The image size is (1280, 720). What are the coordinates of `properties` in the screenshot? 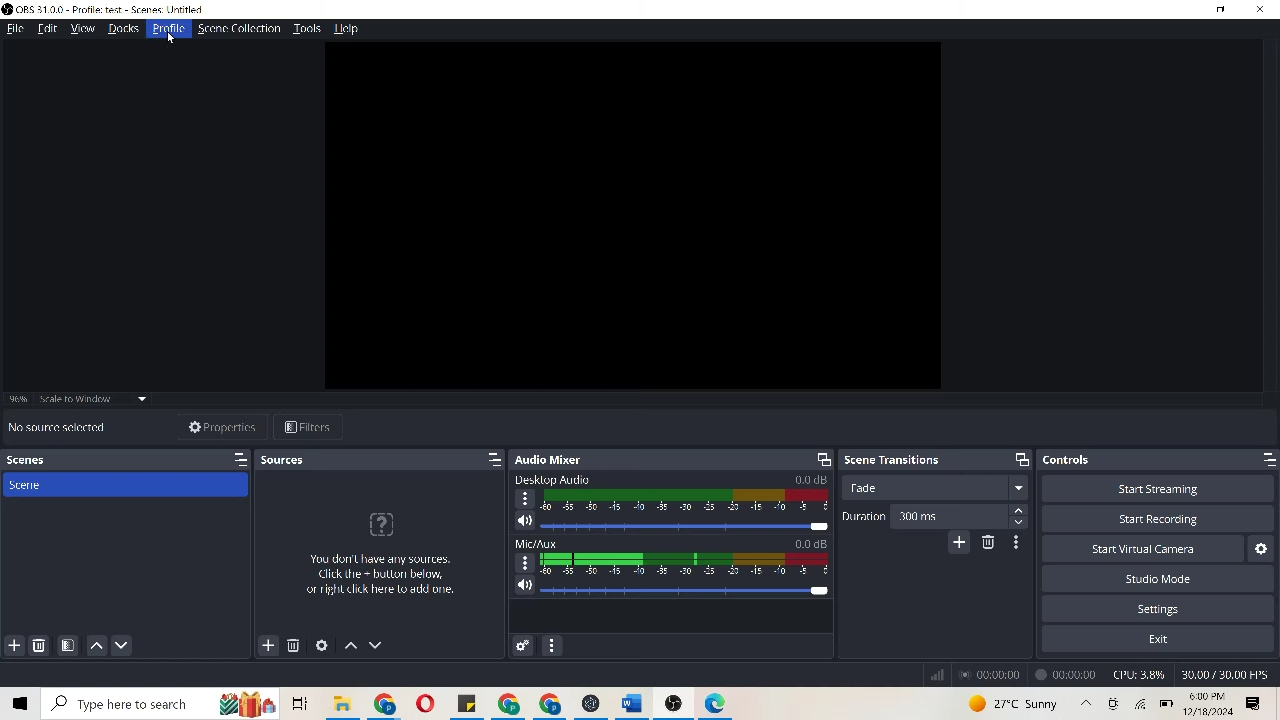 It's located at (216, 426).